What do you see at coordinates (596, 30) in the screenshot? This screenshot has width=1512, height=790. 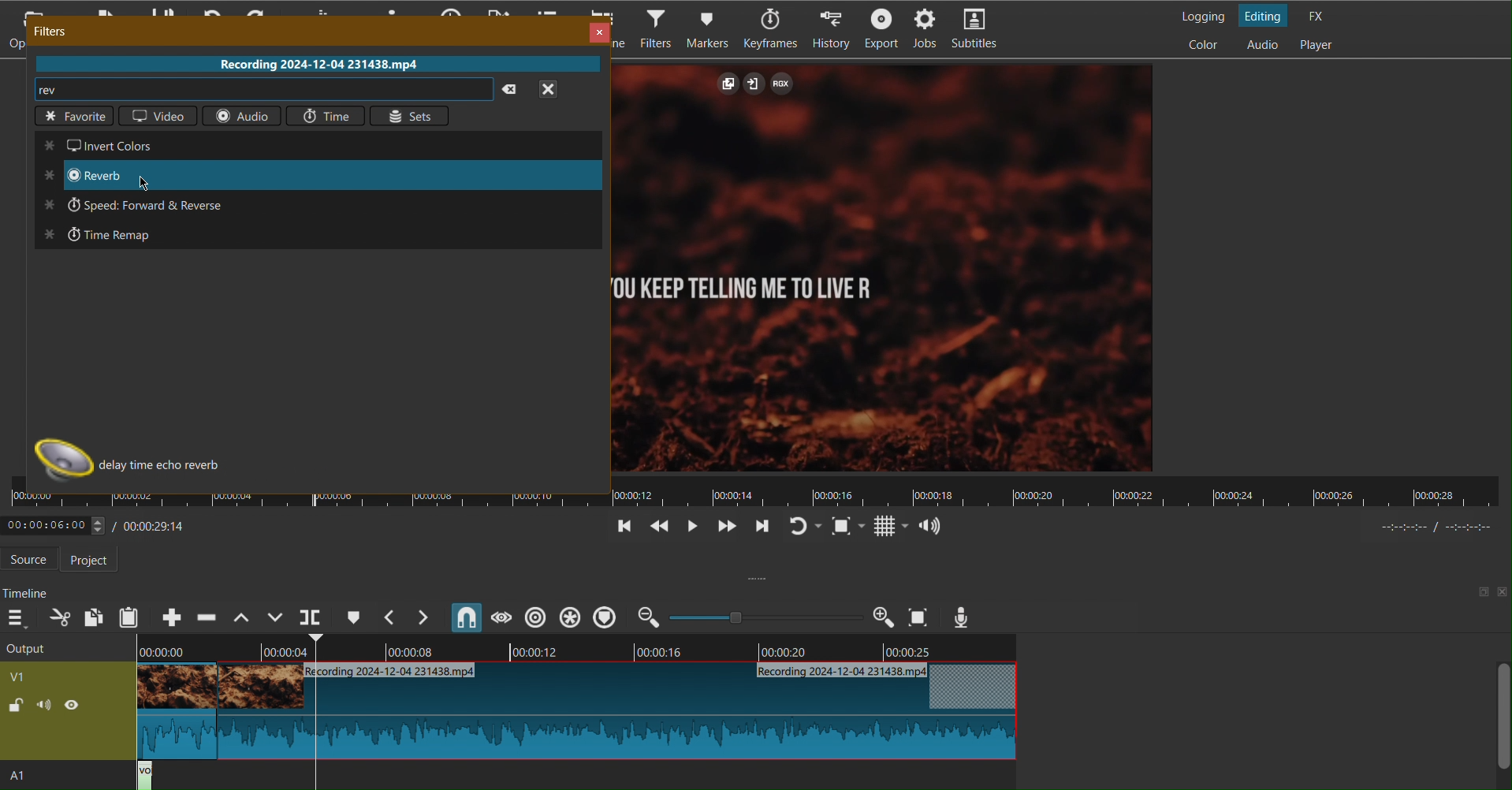 I see `Close` at bounding box center [596, 30].